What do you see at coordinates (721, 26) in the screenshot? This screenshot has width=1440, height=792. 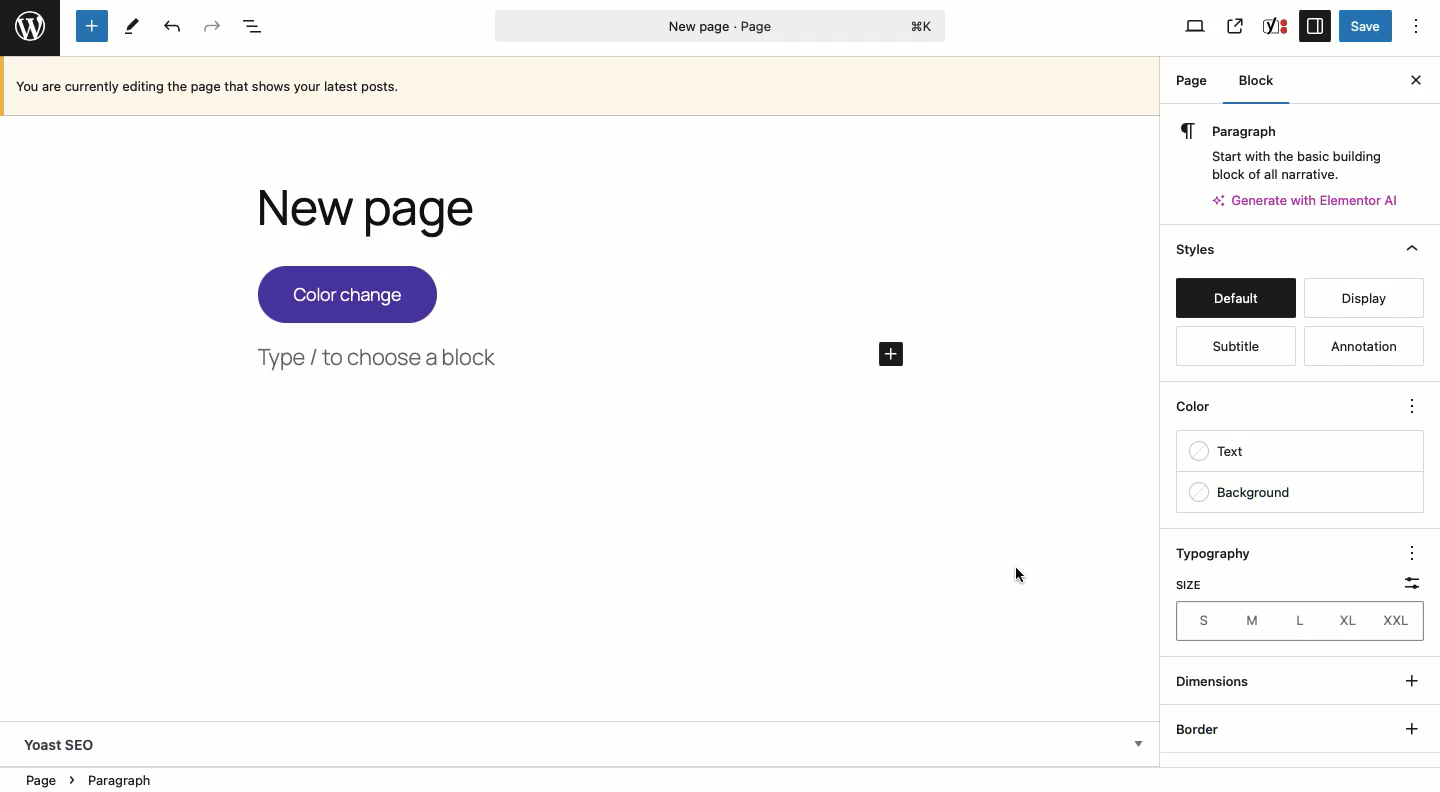 I see `Page` at bounding box center [721, 26].